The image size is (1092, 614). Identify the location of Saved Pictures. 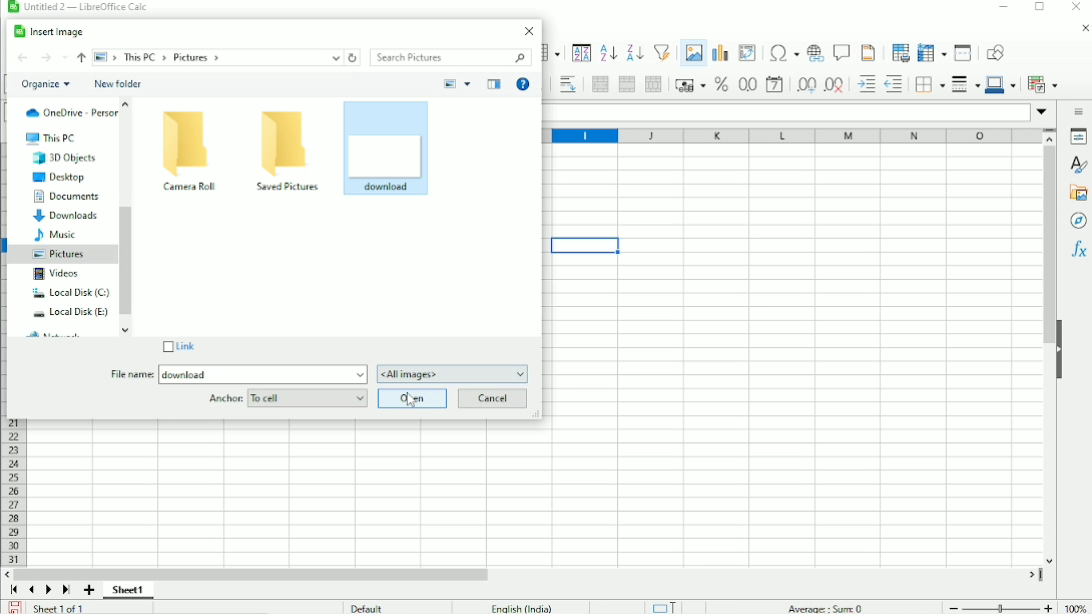
(288, 151).